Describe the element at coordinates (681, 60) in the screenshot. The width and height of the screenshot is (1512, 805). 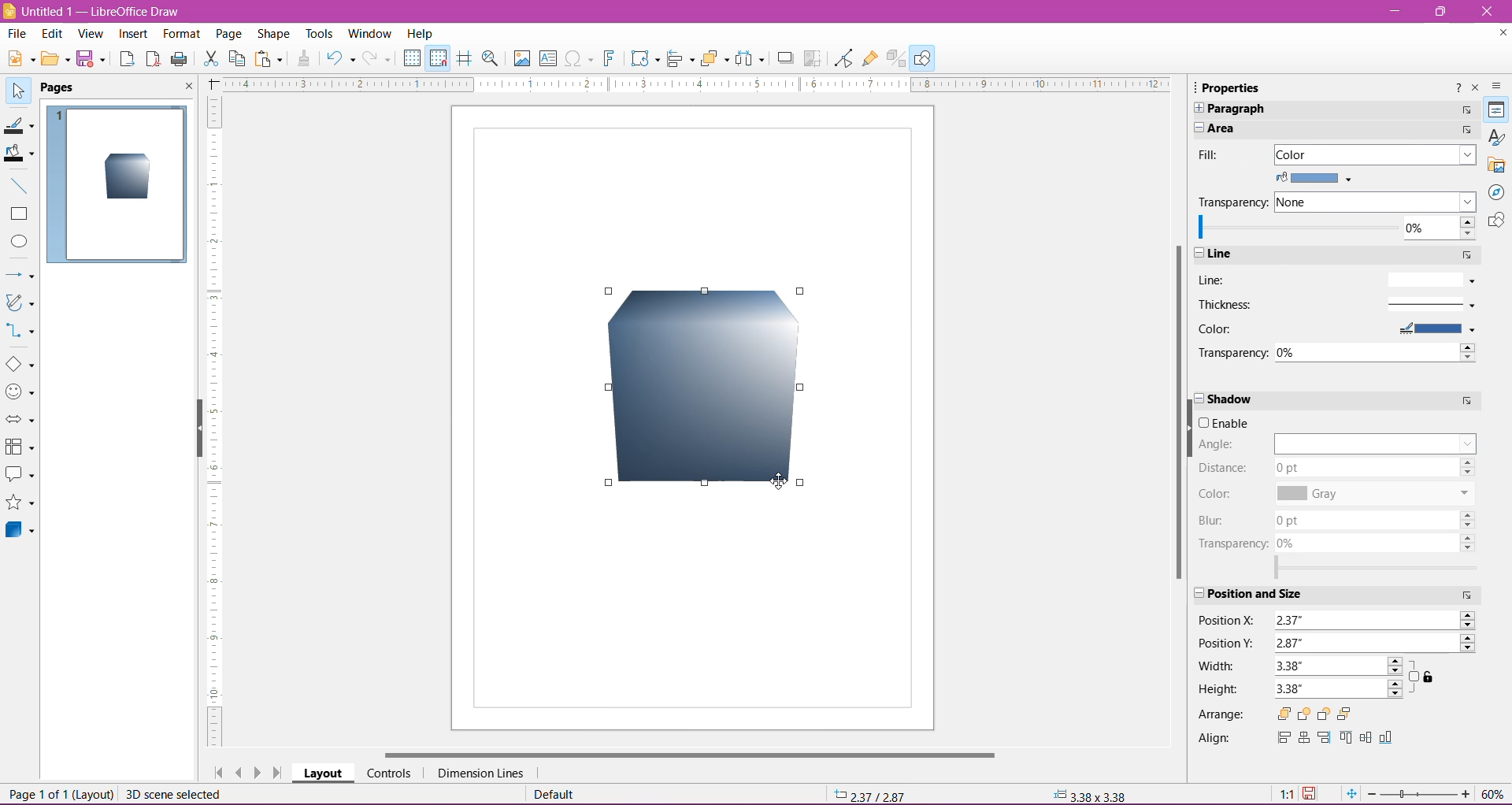
I see `Align` at that location.